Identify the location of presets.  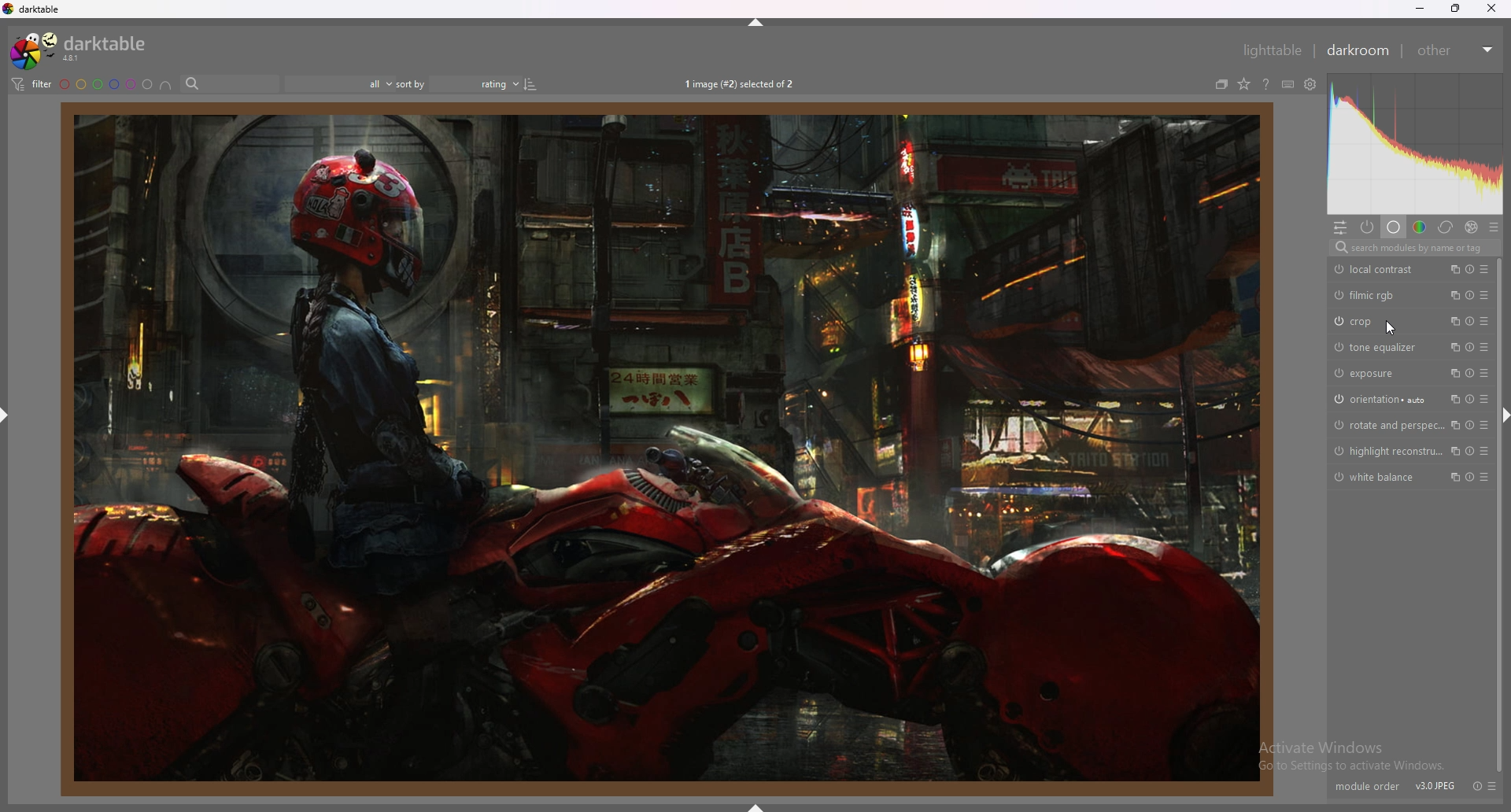
(1484, 477).